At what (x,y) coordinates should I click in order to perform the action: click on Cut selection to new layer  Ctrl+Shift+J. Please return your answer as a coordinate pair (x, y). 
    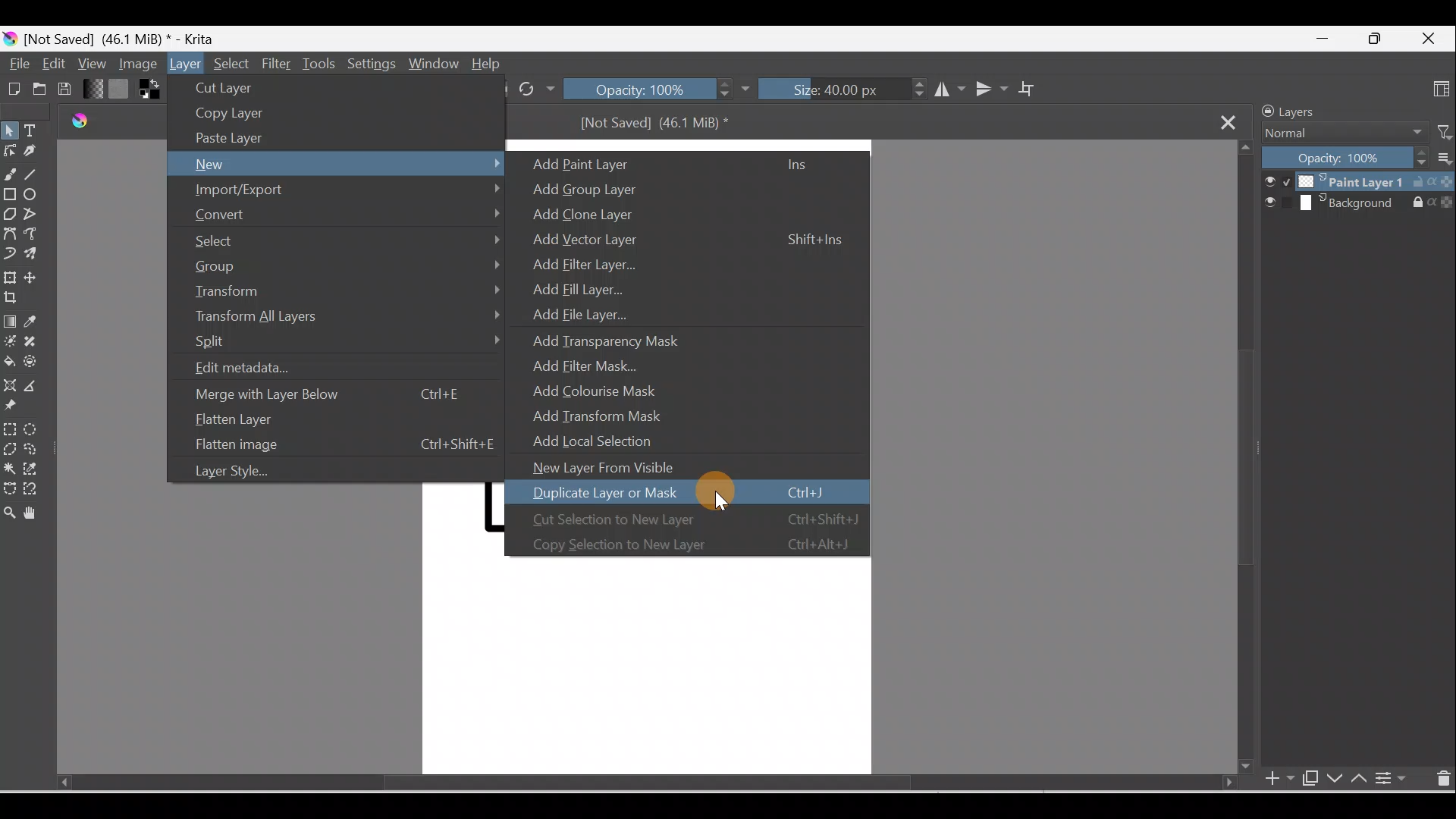
    Looking at the image, I should click on (689, 516).